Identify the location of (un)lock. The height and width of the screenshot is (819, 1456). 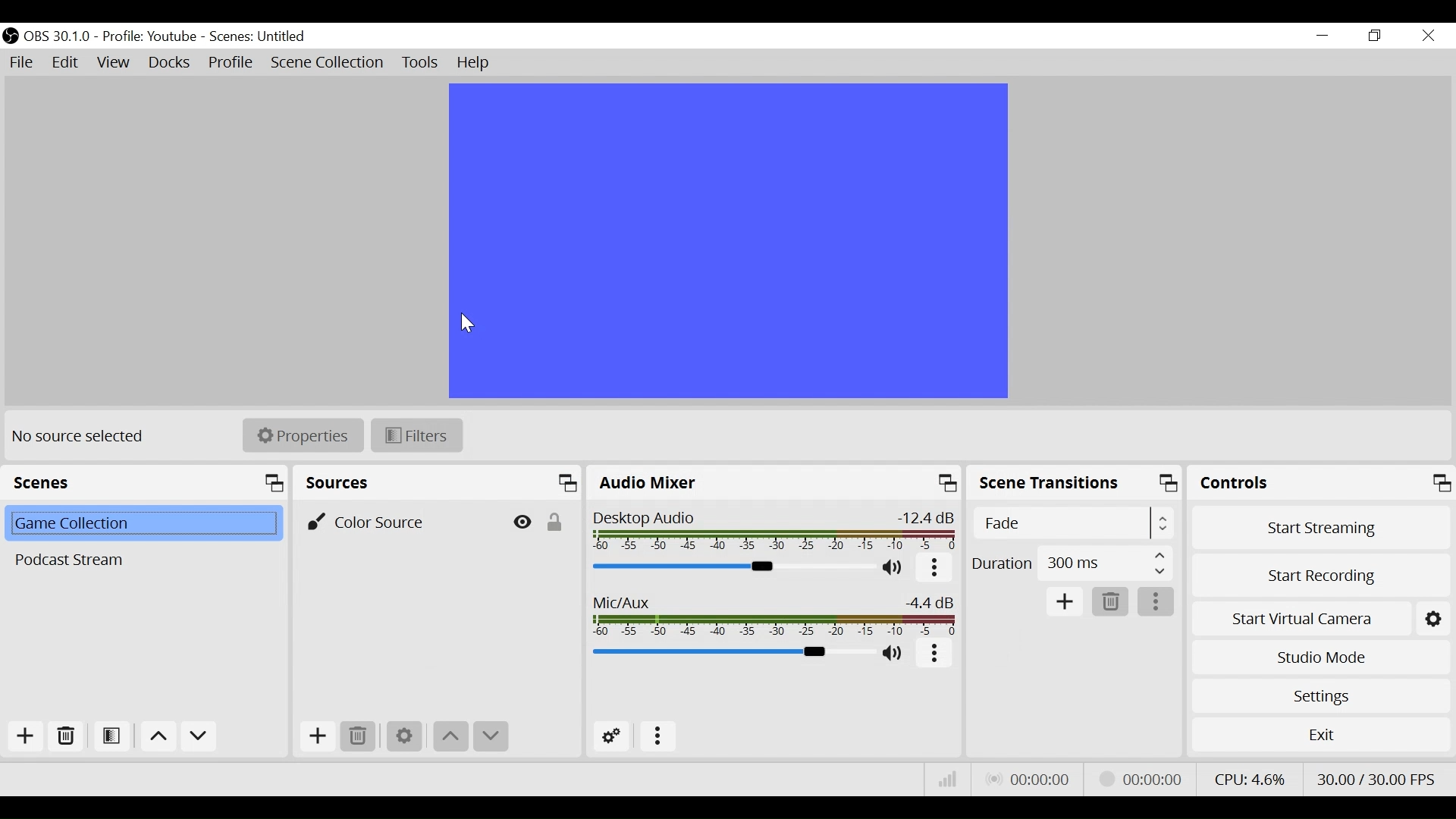
(554, 519).